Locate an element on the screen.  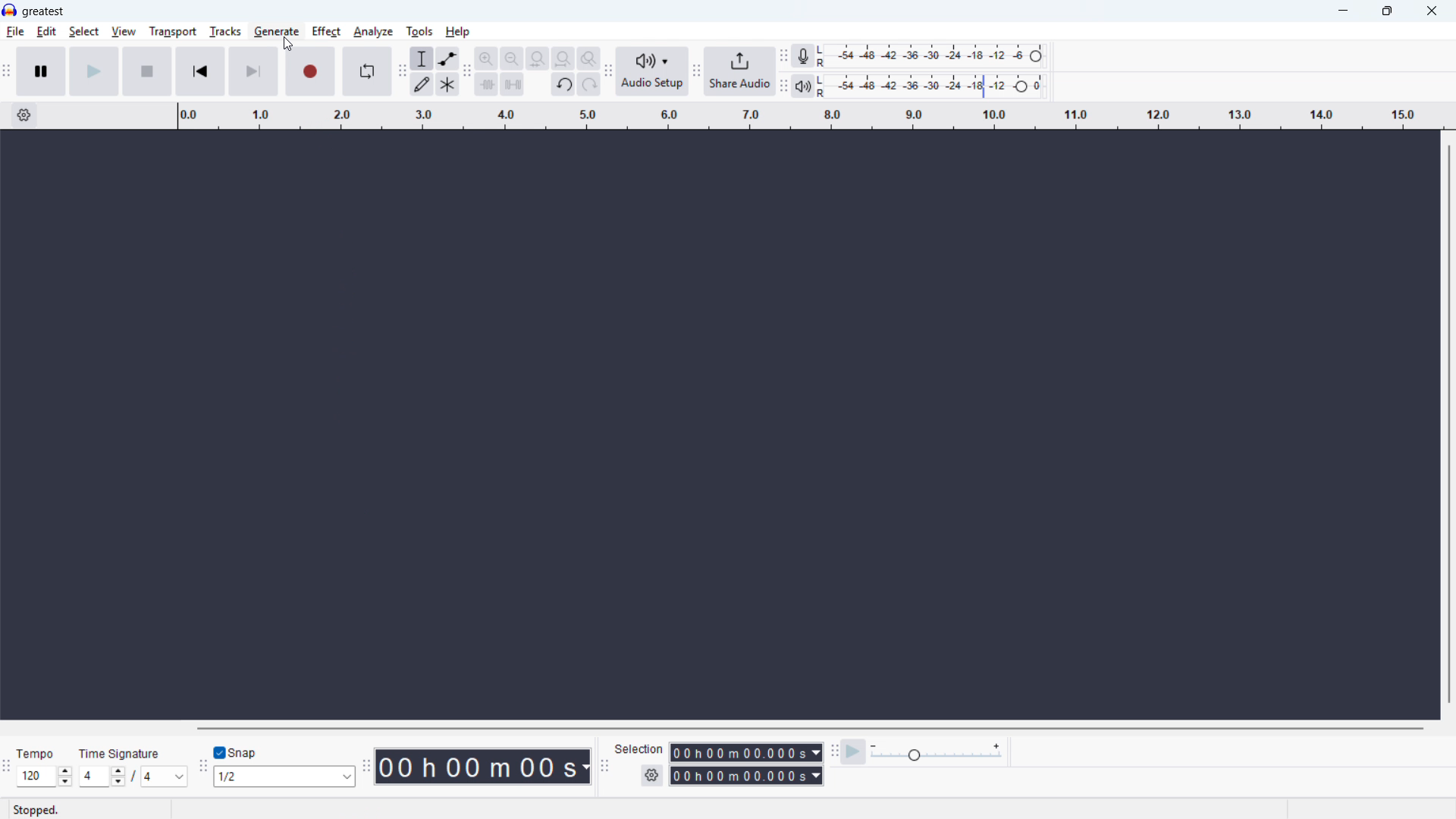
toggle zoom is located at coordinates (589, 58).